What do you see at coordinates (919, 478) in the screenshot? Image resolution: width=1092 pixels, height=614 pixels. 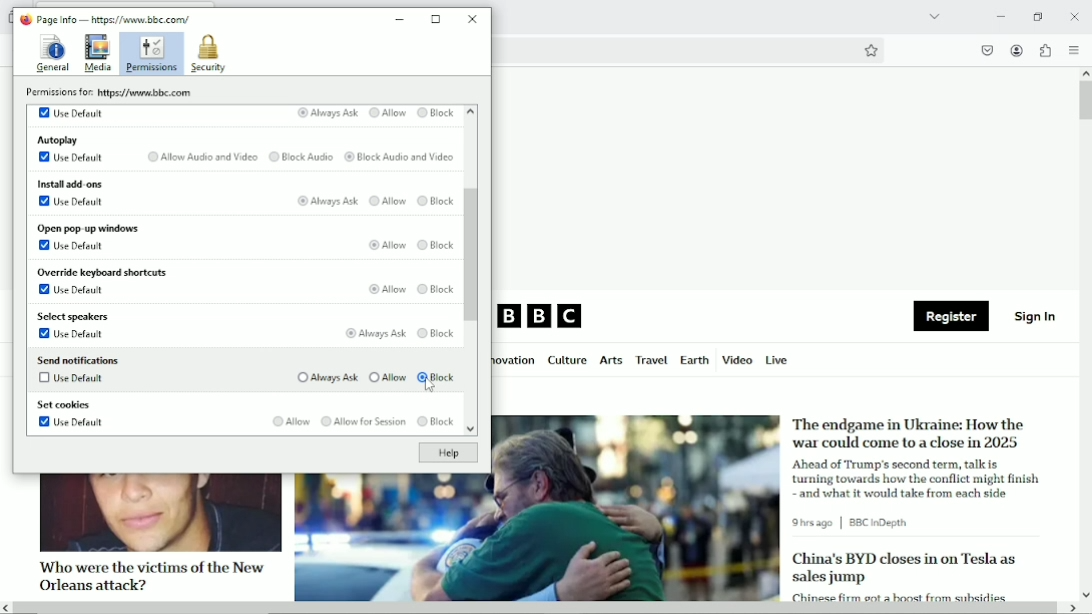 I see `Ahead of Trump's second term, talk is turning towards how the conflict might finish and what it would take from each side` at bounding box center [919, 478].